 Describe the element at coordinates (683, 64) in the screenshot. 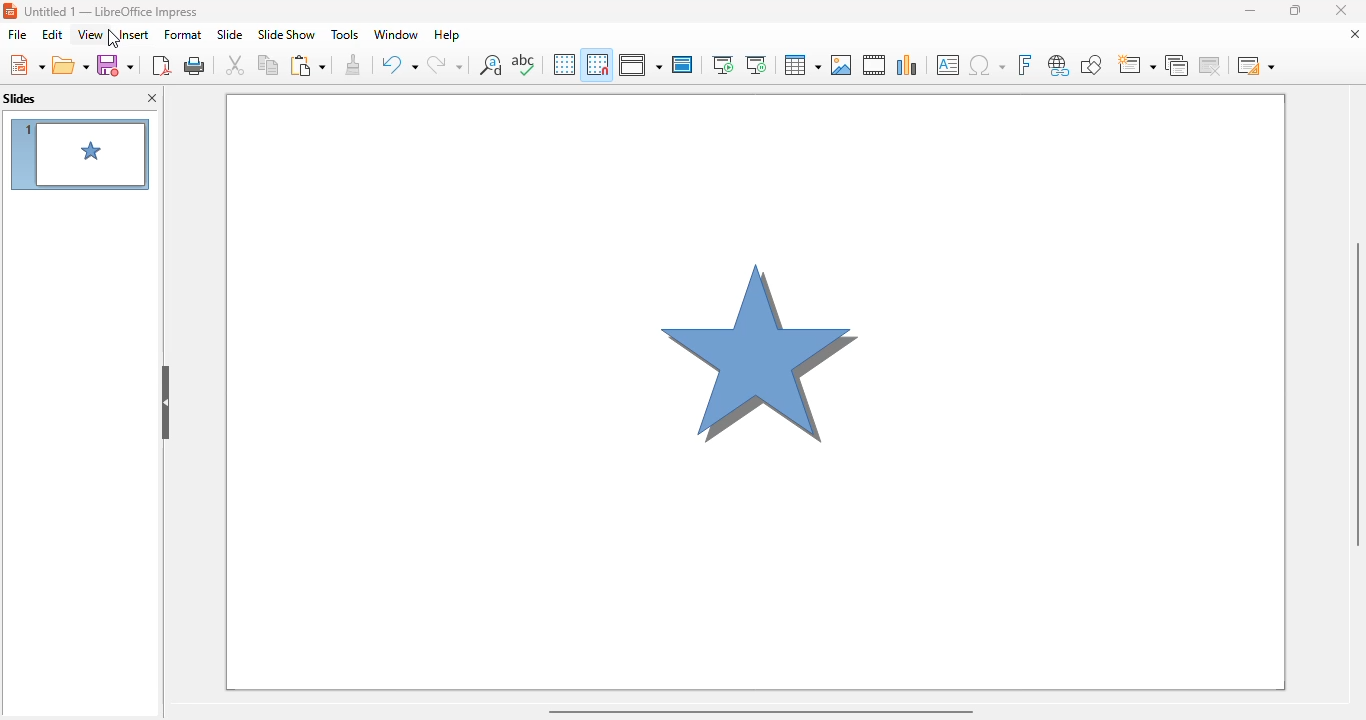

I see `master slide` at that location.